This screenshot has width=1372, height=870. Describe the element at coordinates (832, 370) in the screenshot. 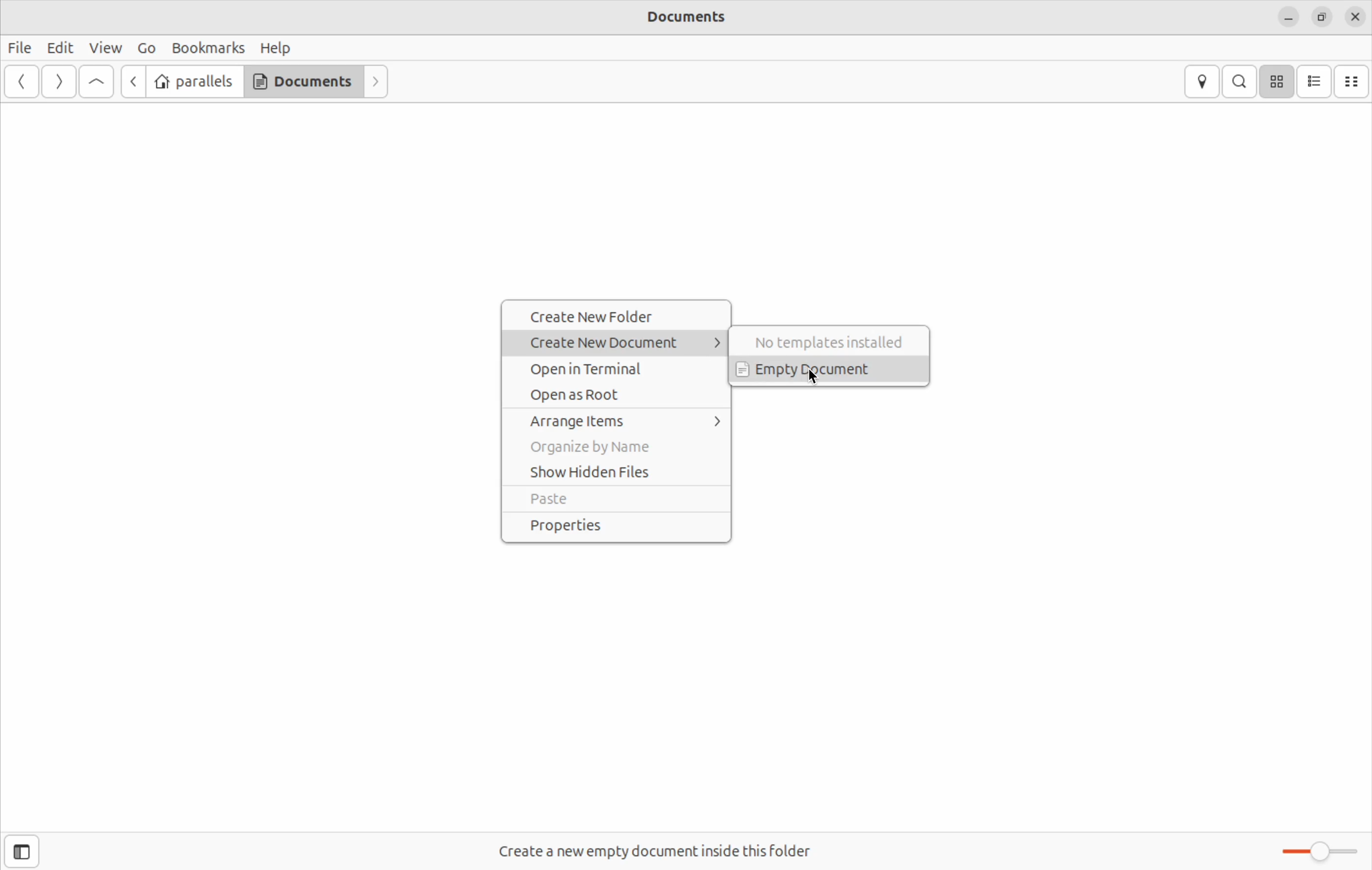

I see `empty document` at that location.